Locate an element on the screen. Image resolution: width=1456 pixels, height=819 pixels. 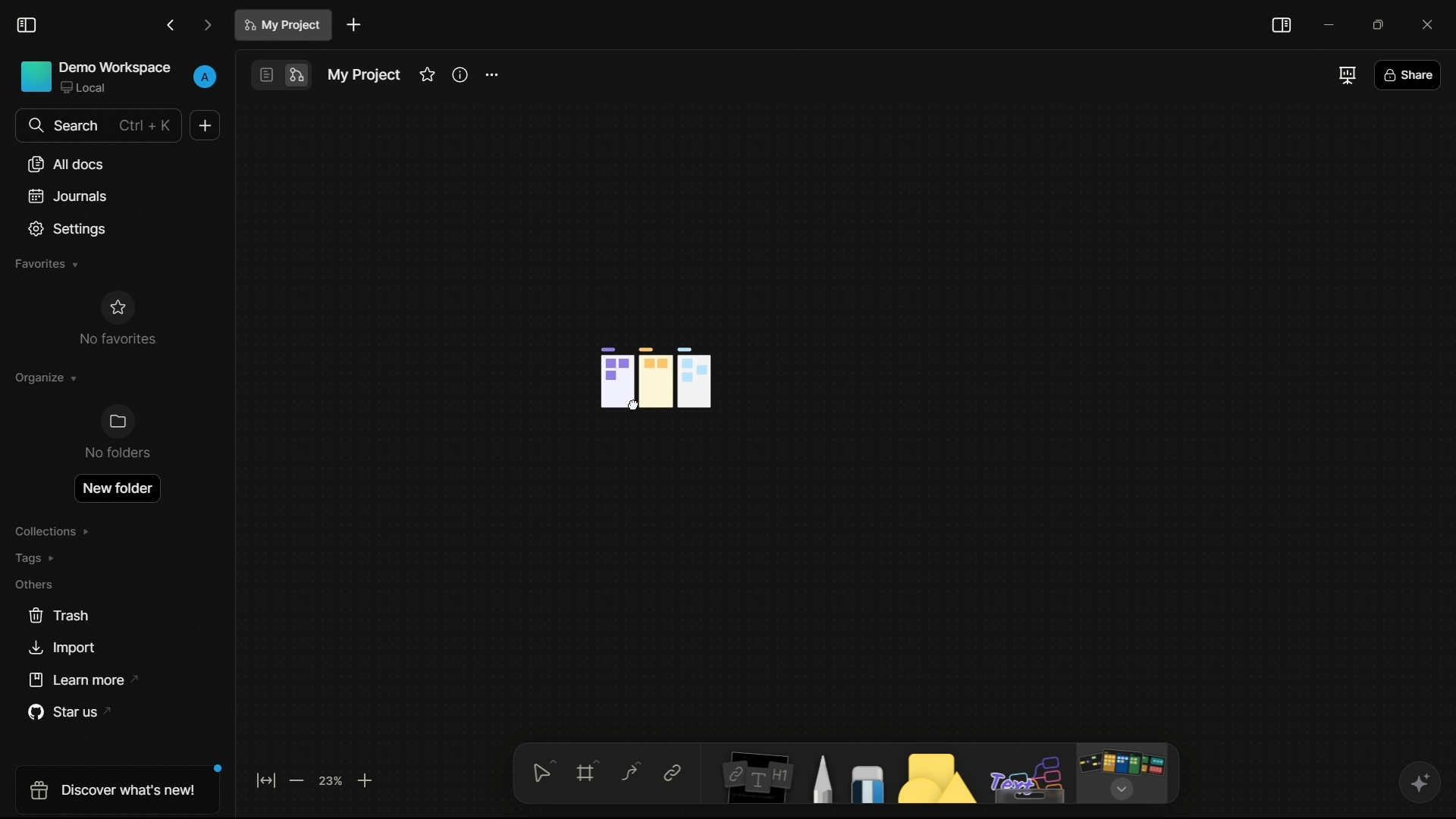
forward is located at coordinates (208, 27).